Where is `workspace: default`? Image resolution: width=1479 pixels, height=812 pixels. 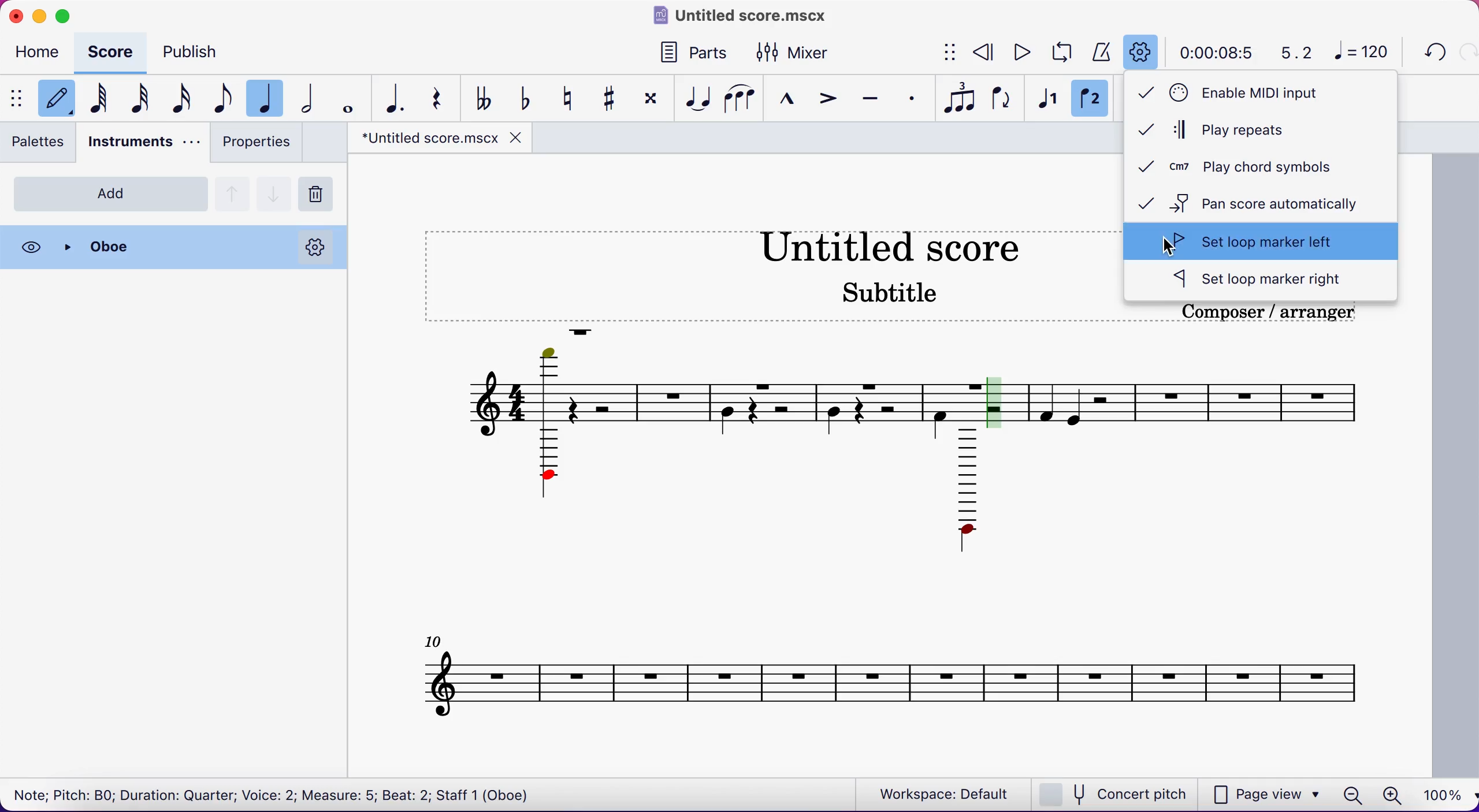
workspace: default is located at coordinates (947, 794).